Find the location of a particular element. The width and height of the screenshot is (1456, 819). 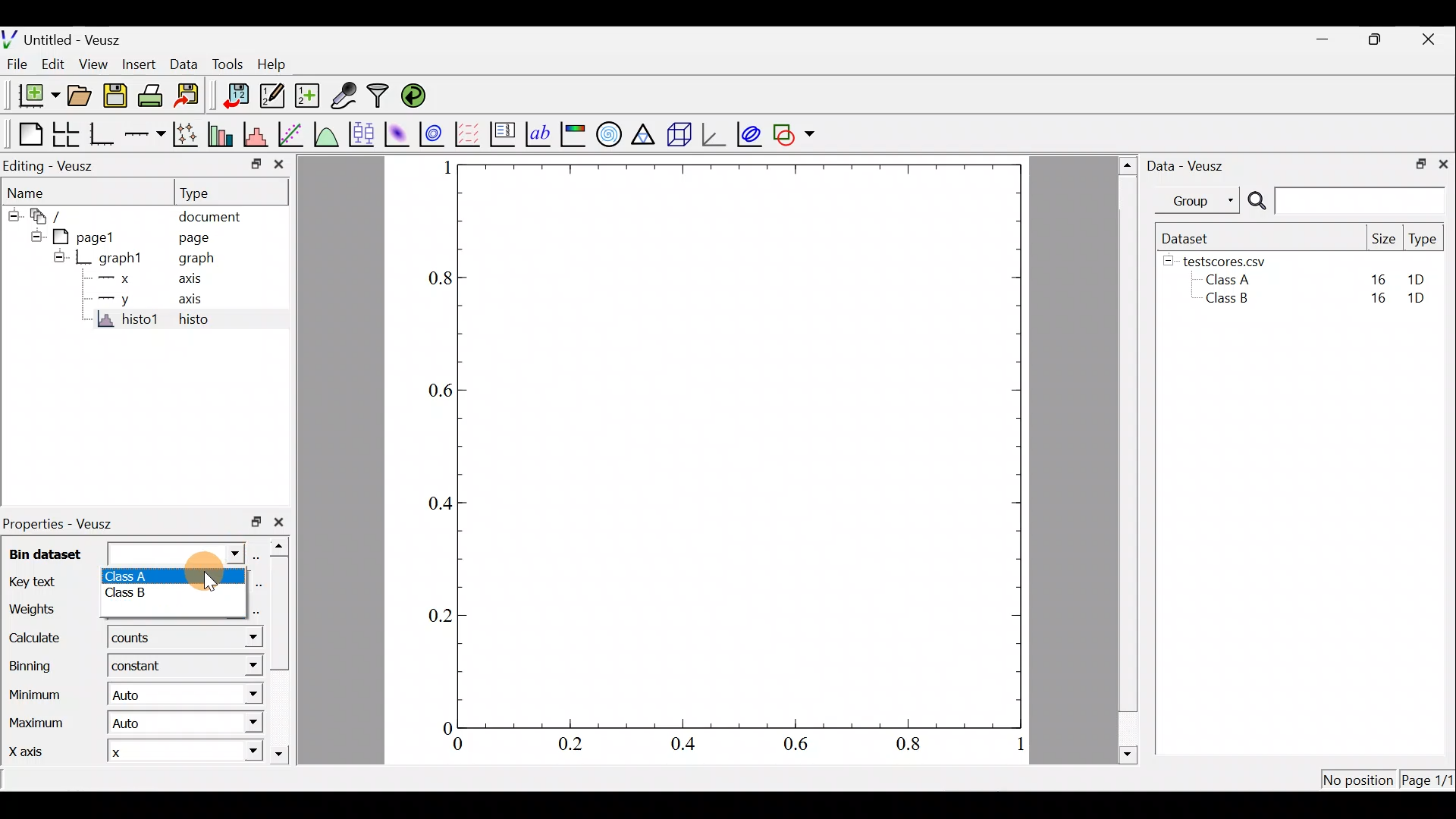

Tools is located at coordinates (226, 65).